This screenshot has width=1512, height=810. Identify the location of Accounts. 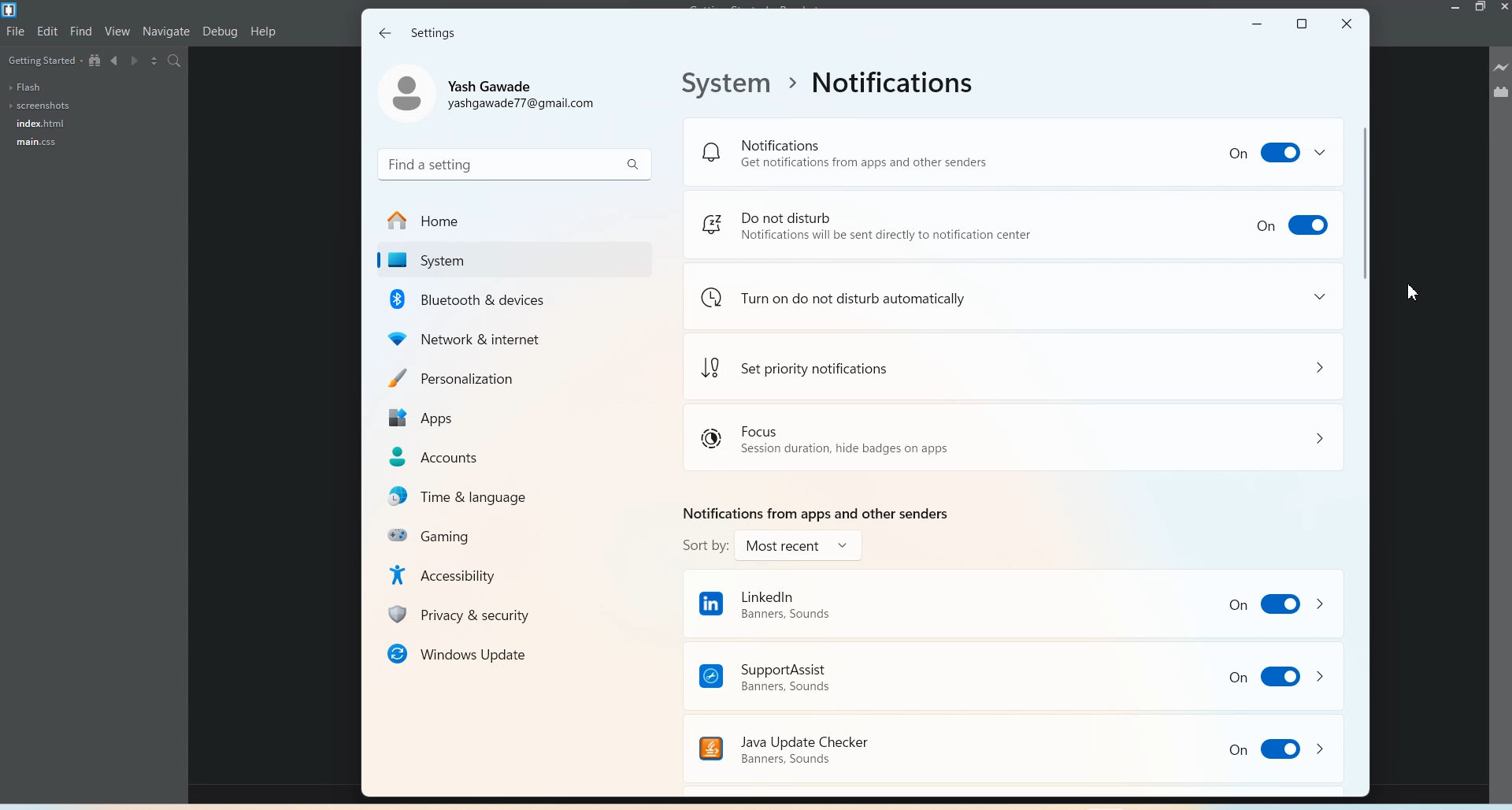
(509, 456).